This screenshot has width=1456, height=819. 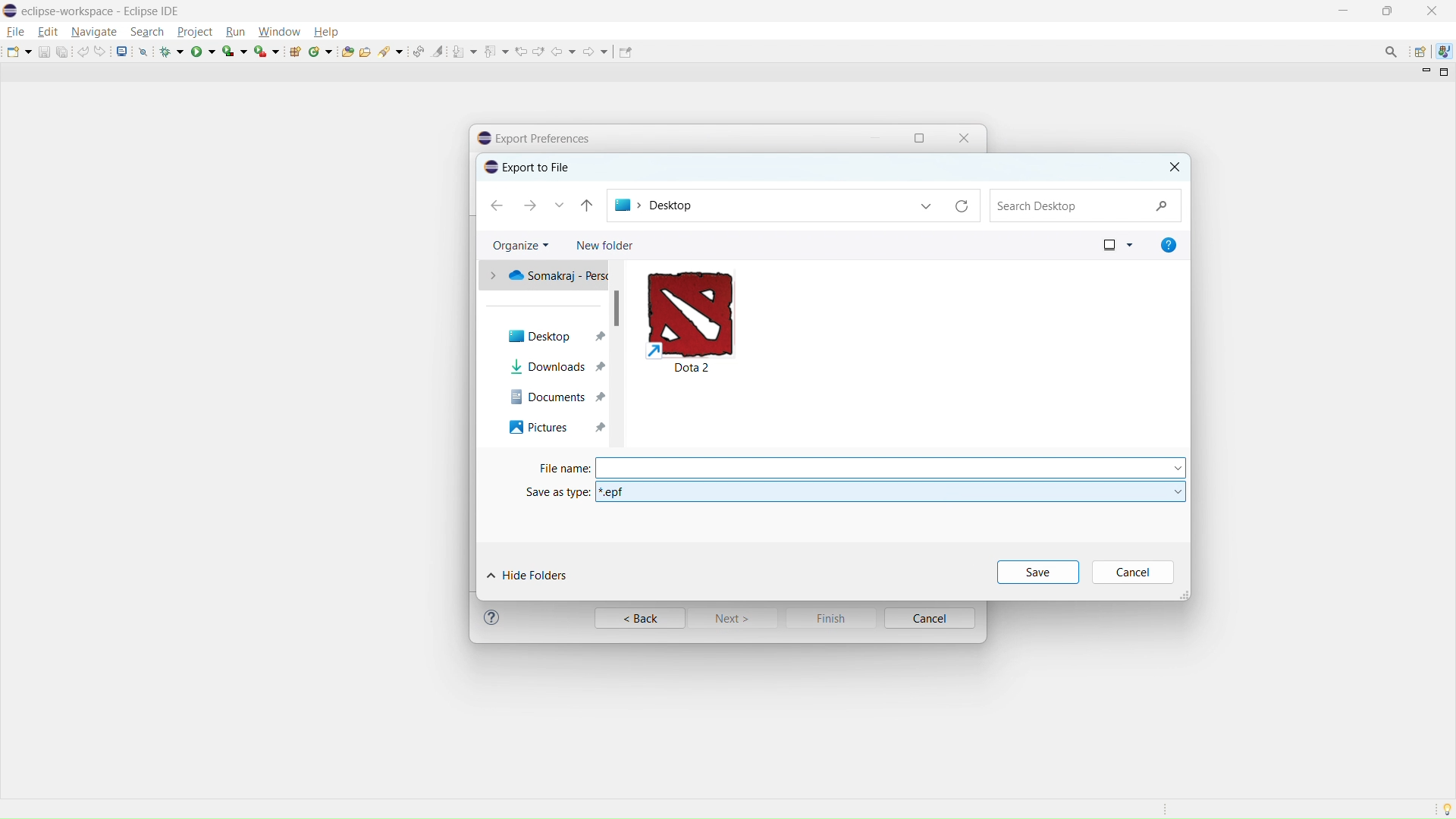 What do you see at coordinates (968, 136) in the screenshot?
I see `Close` at bounding box center [968, 136].